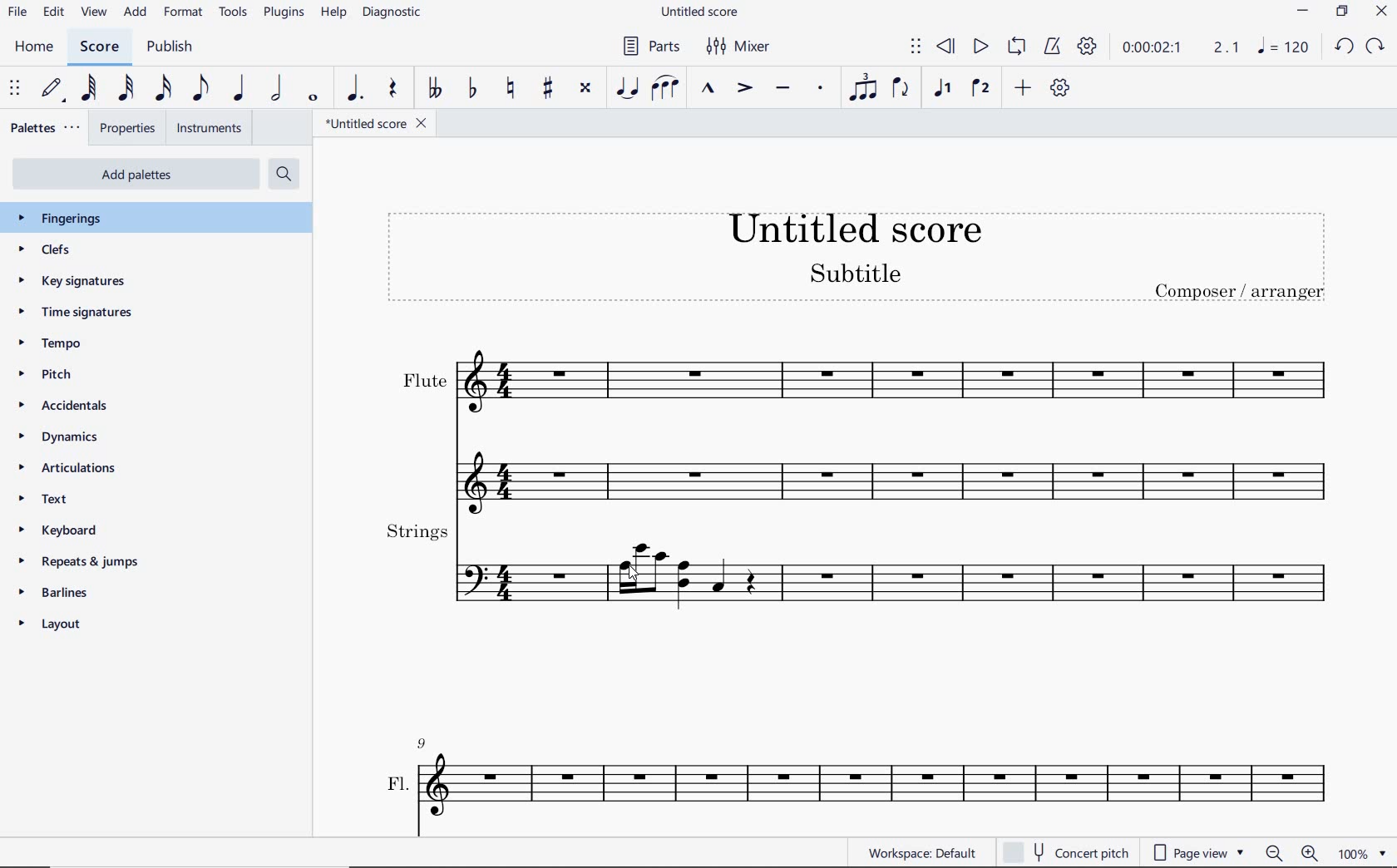  I want to click on 32nd note, so click(126, 86).